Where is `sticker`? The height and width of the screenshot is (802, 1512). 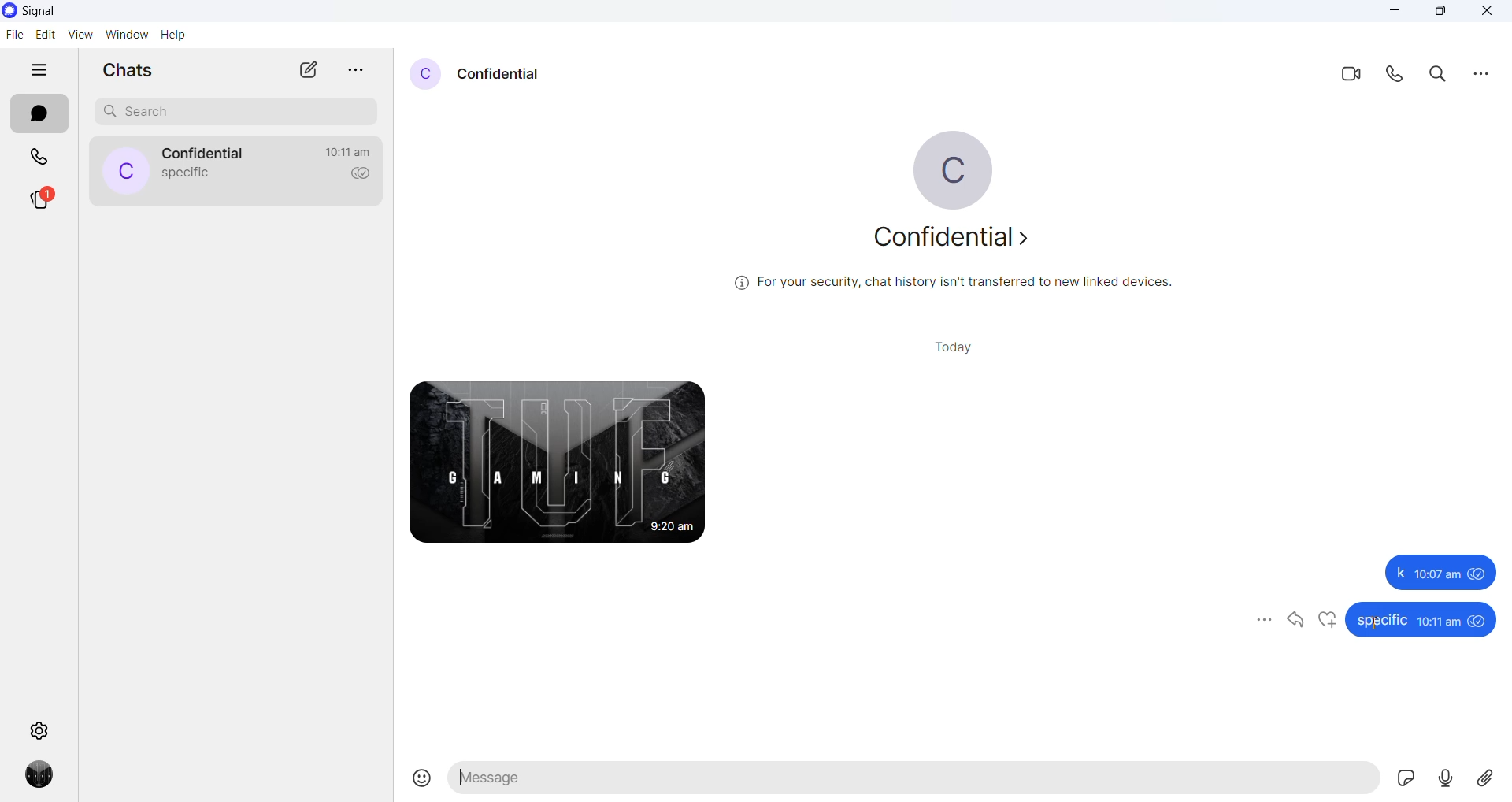 sticker is located at coordinates (1405, 781).